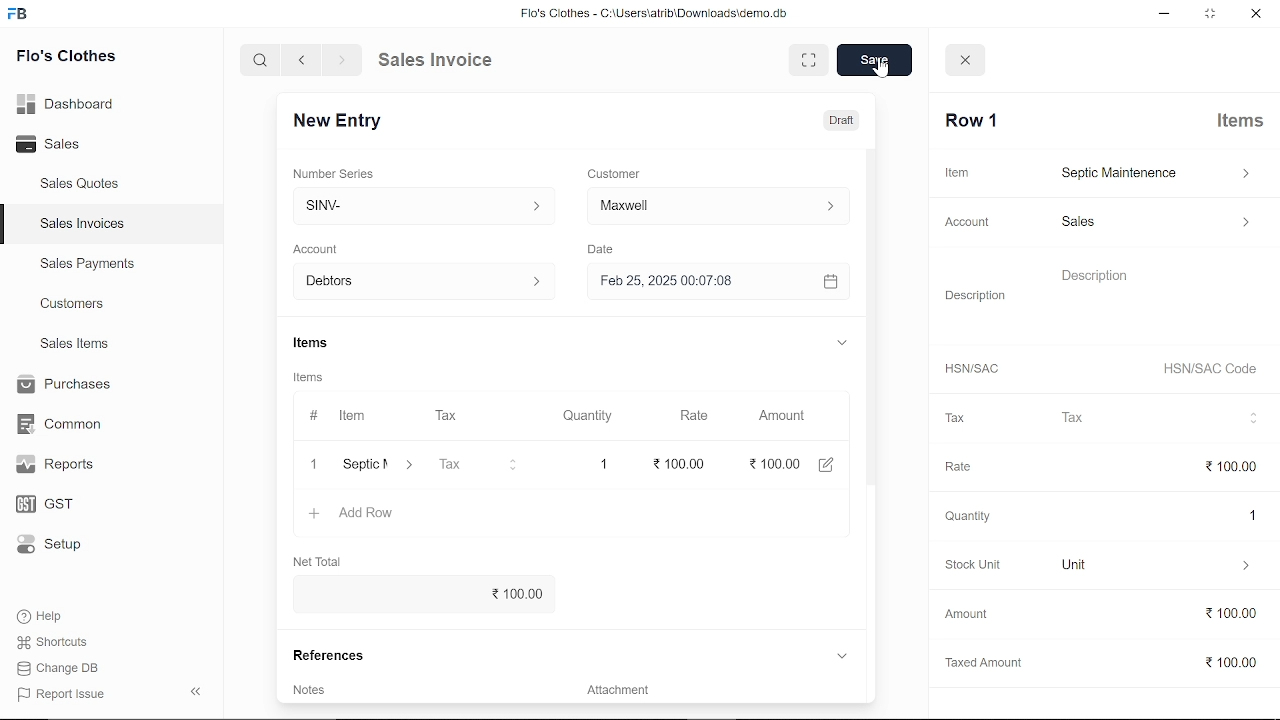  What do you see at coordinates (579, 416) in the screenshot?
I see ` Quantity` at bounding box center [579, 416].